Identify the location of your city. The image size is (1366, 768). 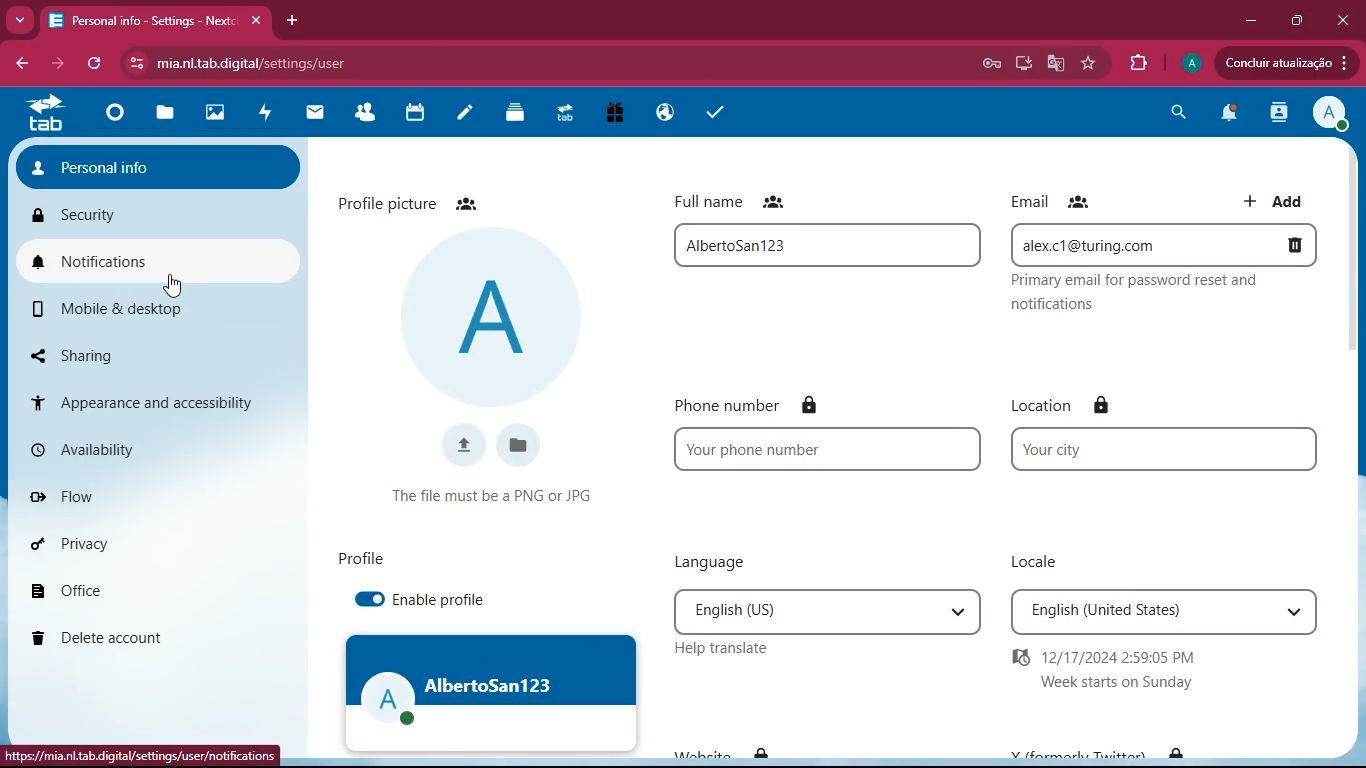
(1140, 450).